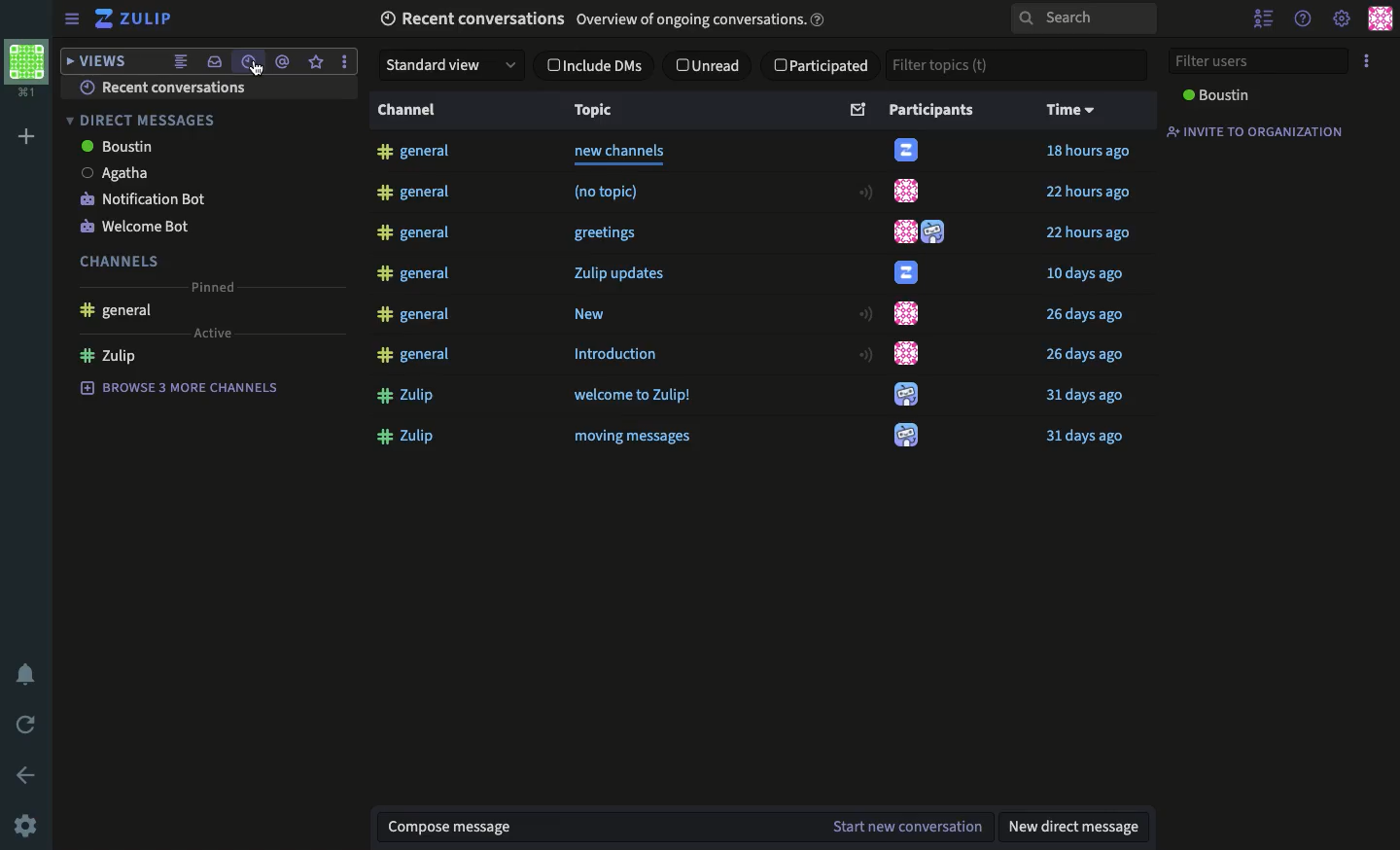  What do you see at coordinates (136, 228) in the screenshot?
I see `welcome bot` at bounding box center [136, 228].